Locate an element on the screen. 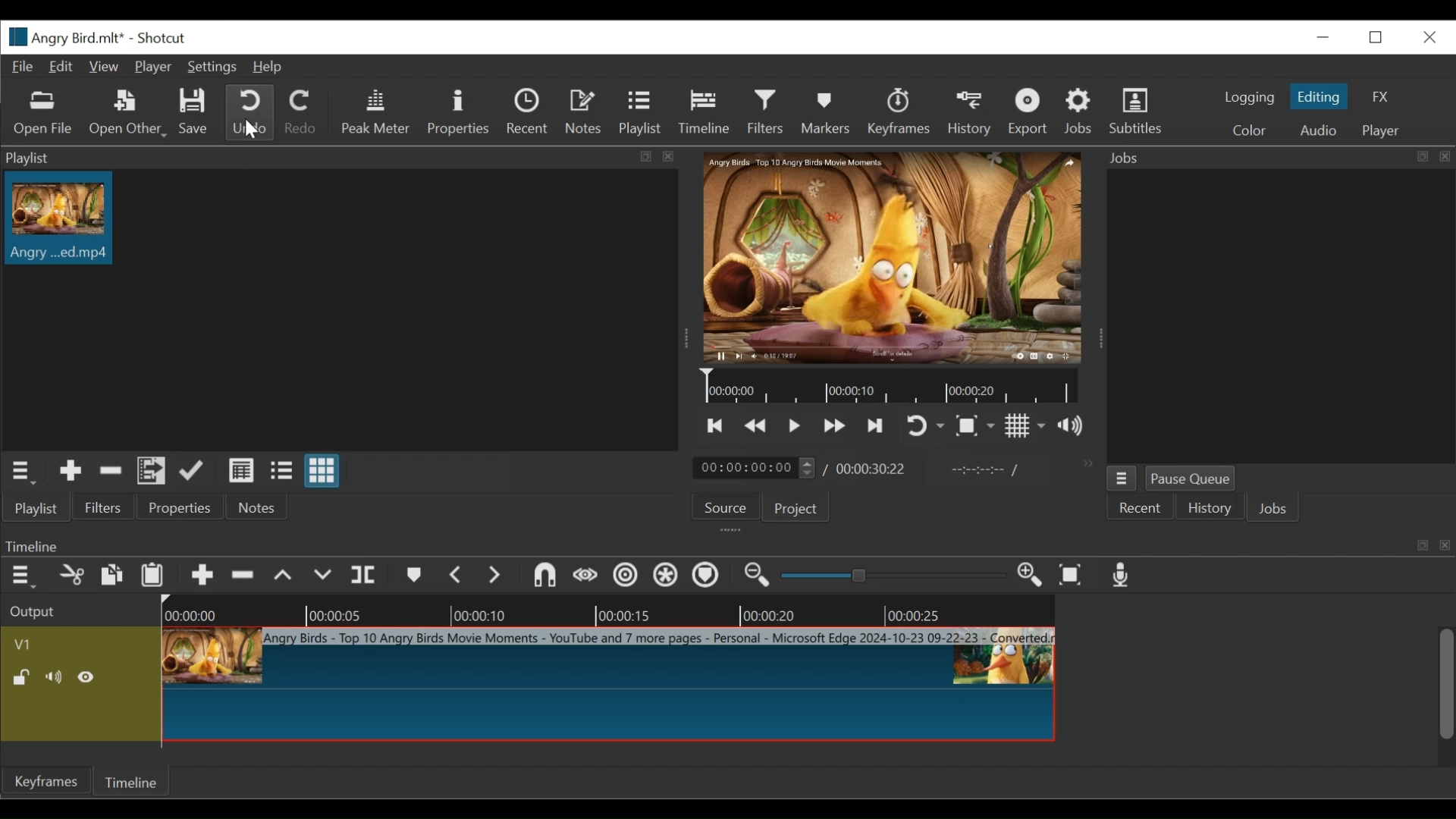  lift is located at coordinates (285, 577).